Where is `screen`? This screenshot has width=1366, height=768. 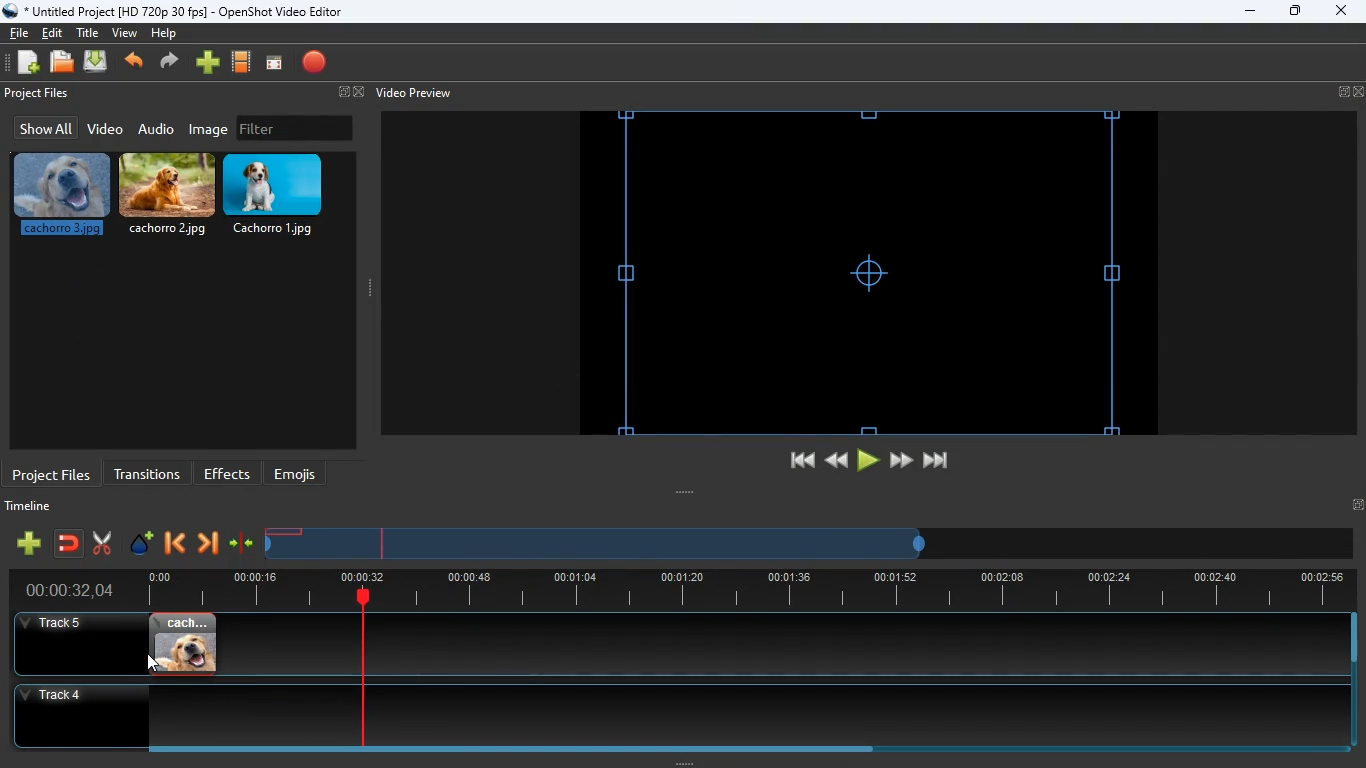 screen is located at coordinates (864, 268).